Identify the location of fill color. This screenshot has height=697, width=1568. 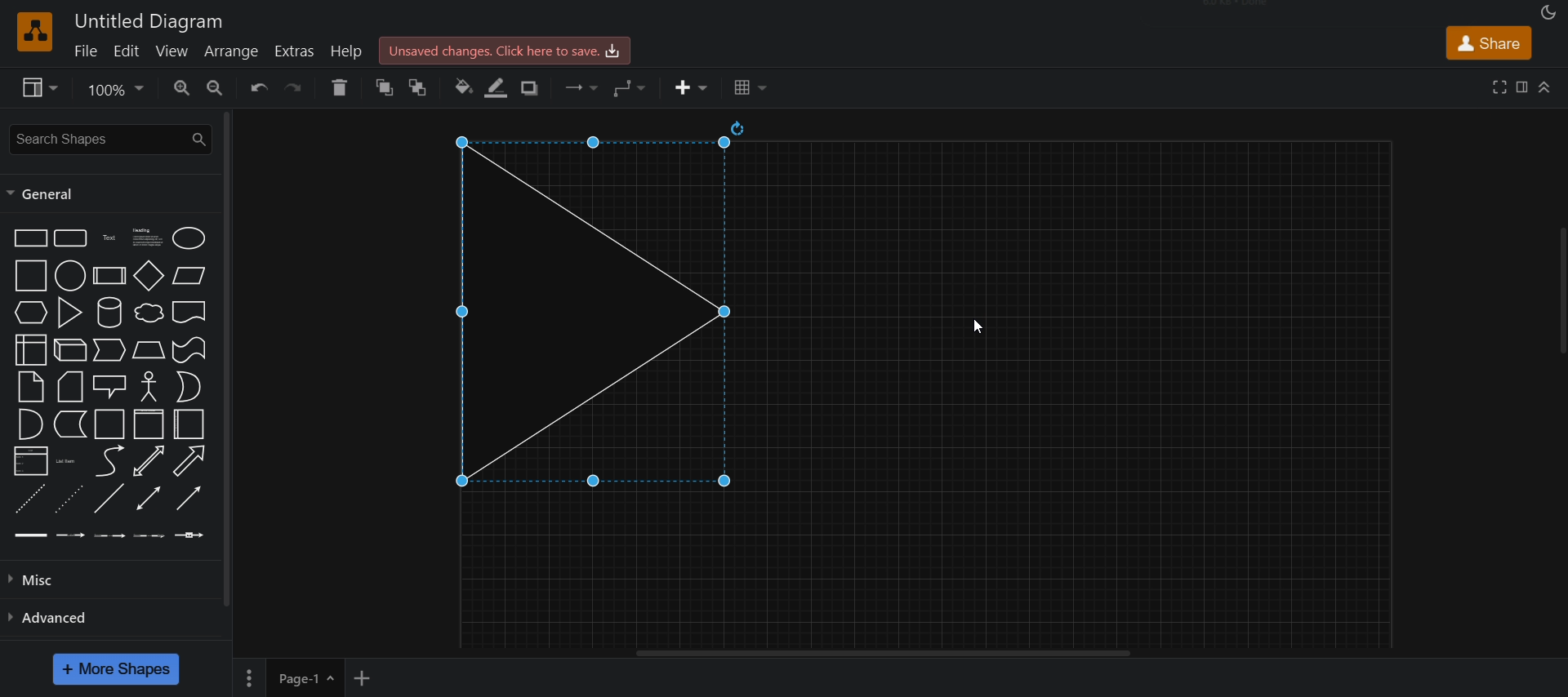
(462, 87).